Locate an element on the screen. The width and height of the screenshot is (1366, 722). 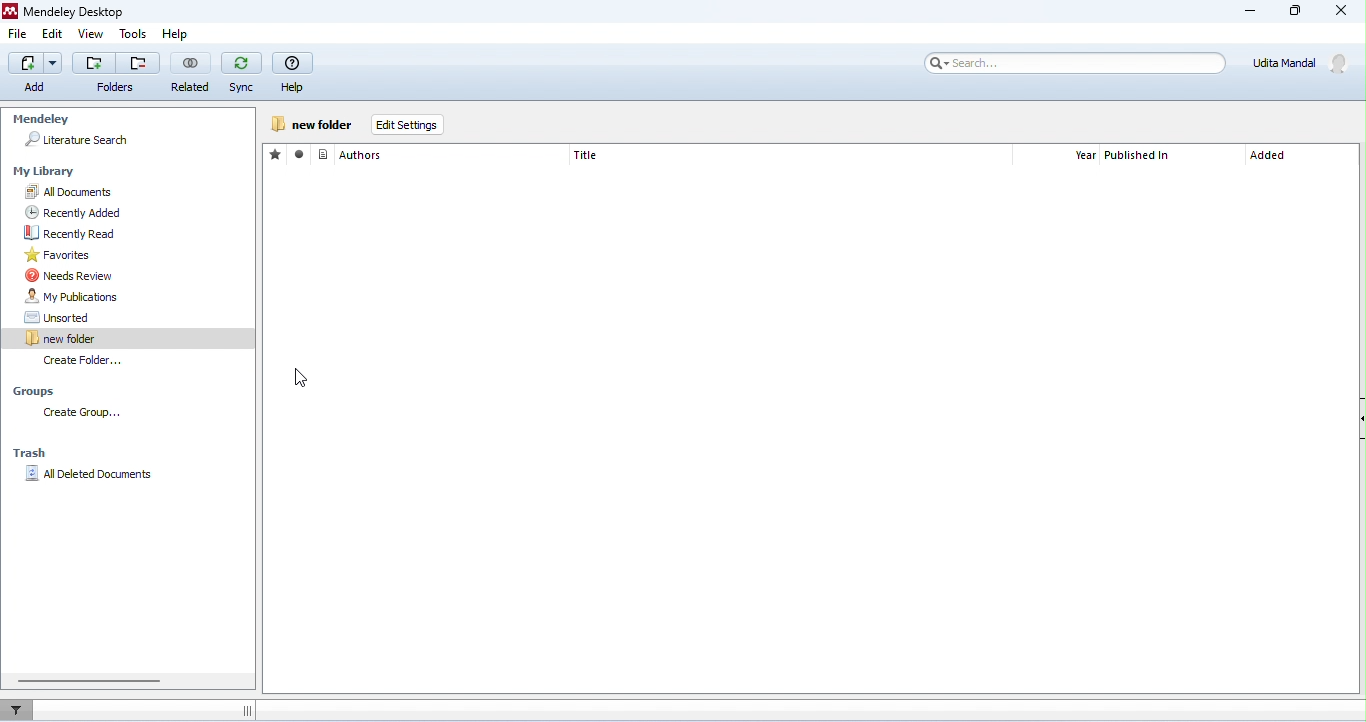
account details is located at coordinates (1304, 63).